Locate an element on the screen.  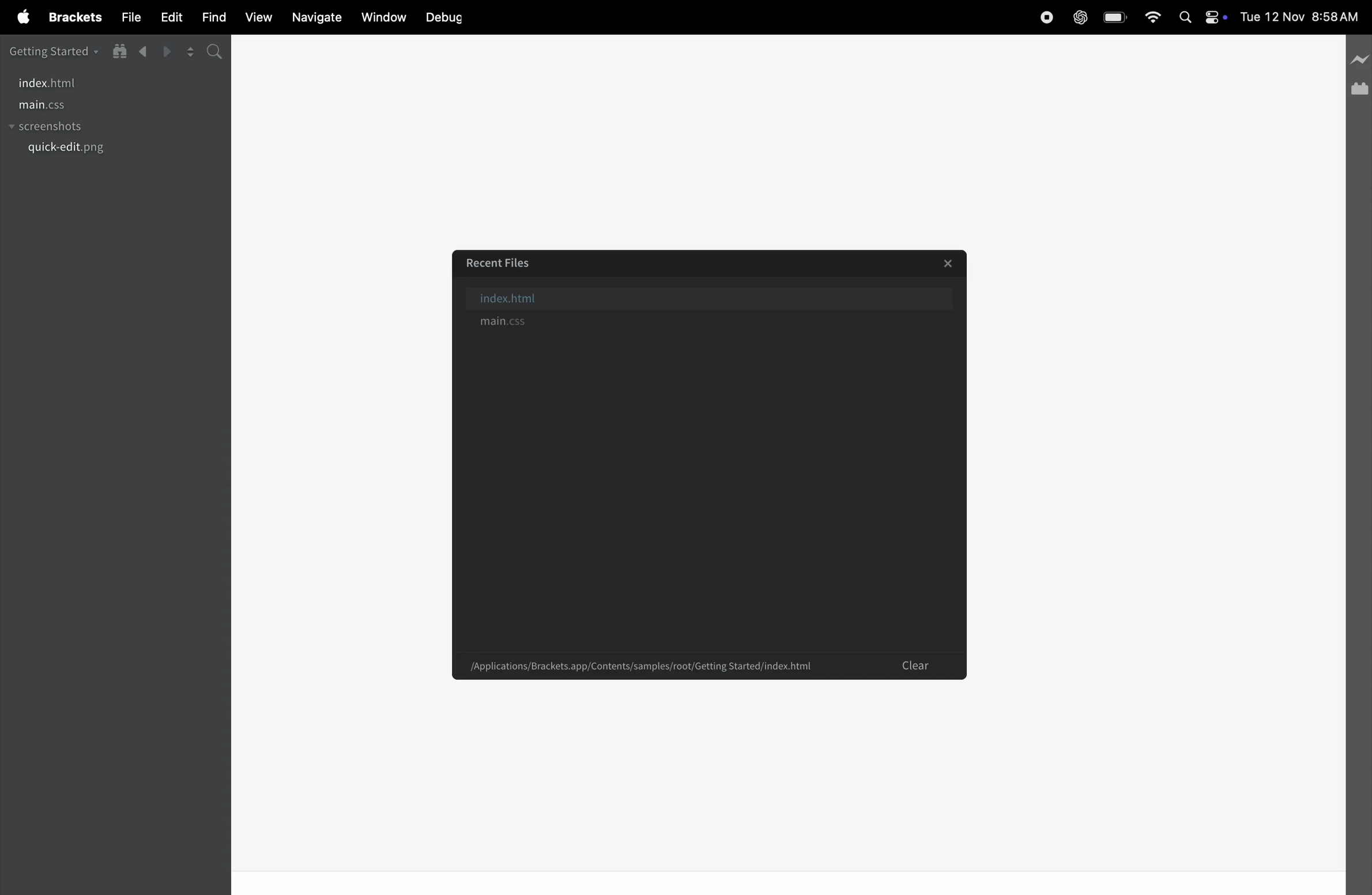
file is located at coordinates (128, 17).